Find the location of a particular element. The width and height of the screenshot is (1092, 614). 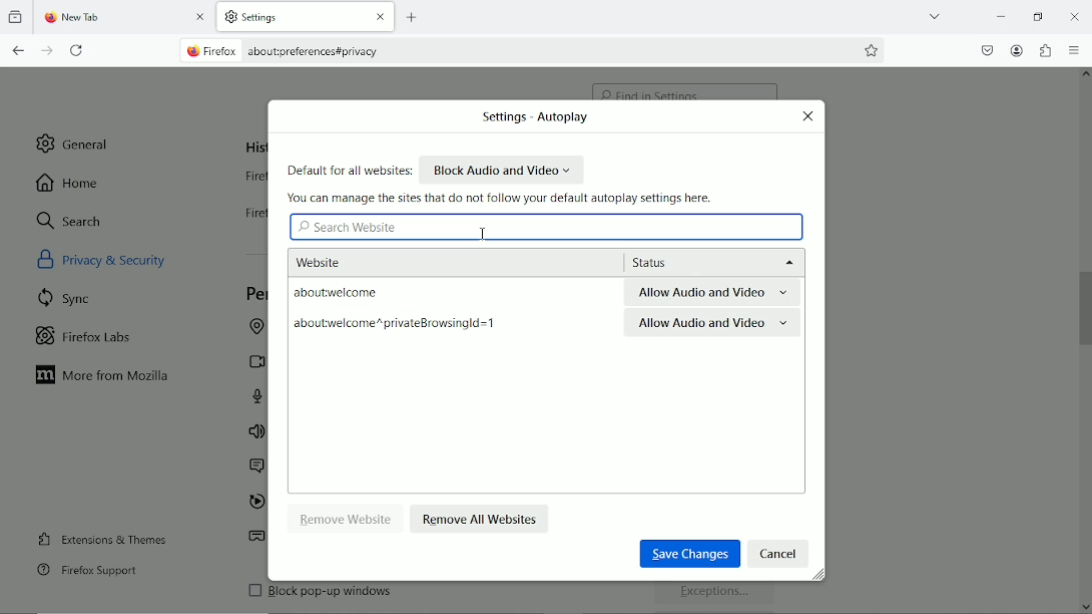

save changes is located at coordinates (687, 552).